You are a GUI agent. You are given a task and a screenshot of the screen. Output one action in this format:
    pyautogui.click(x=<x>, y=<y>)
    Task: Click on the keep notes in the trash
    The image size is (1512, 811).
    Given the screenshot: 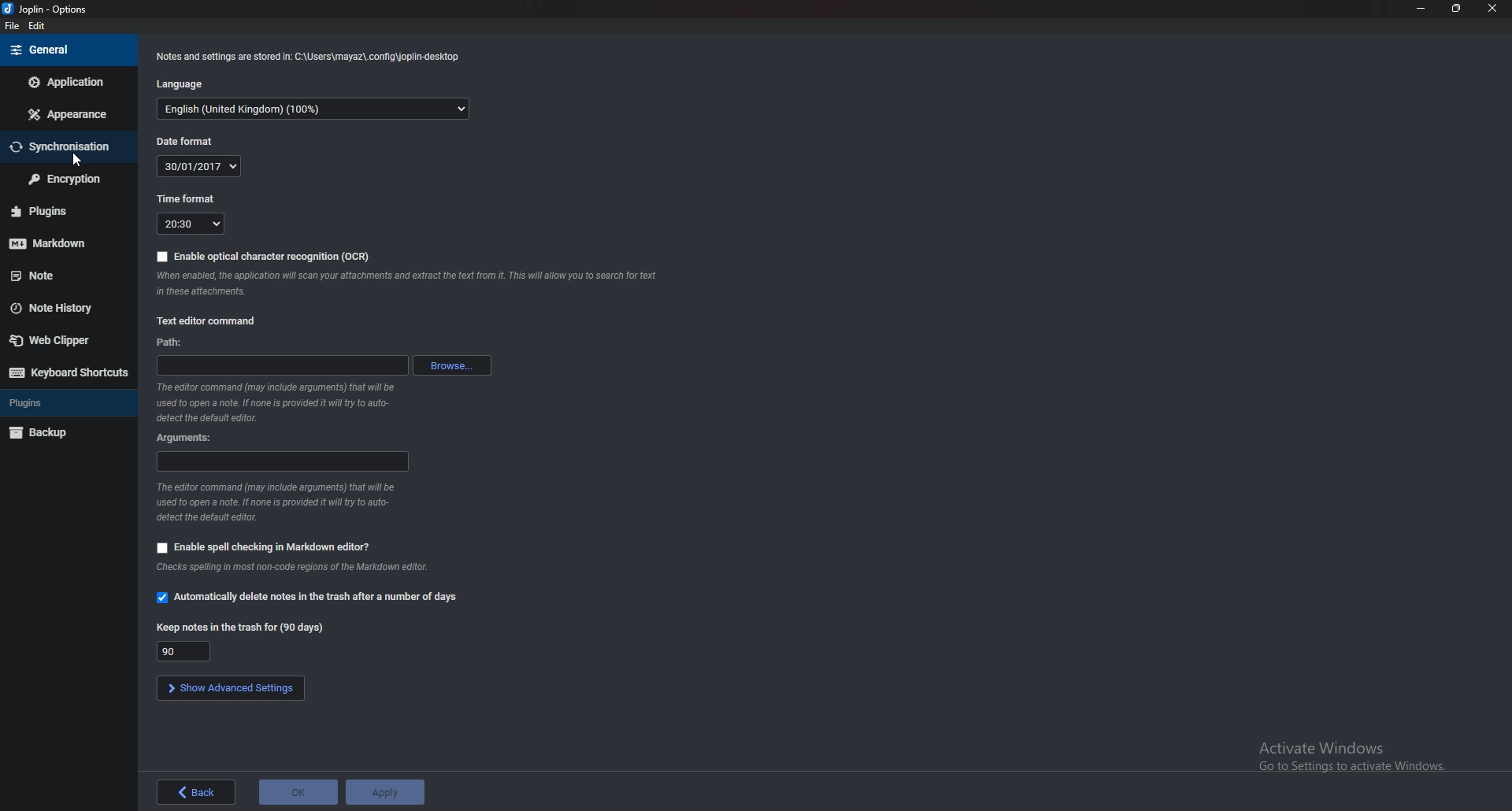 What is the action you would take?
    pyautogui.click(x=240, y=628)
    